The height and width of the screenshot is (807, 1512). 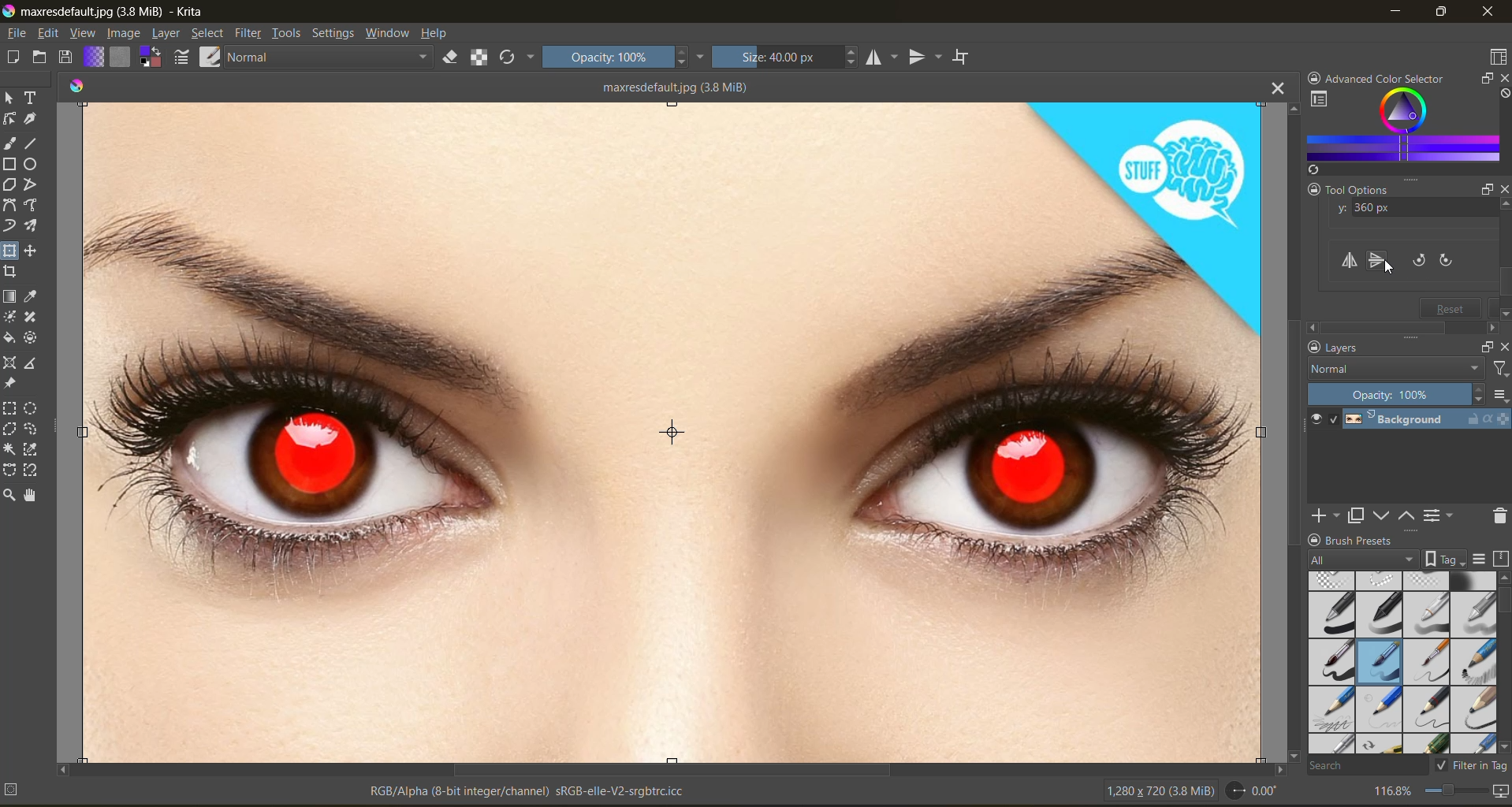 I want to click on tool, so click(x=32, y=471).